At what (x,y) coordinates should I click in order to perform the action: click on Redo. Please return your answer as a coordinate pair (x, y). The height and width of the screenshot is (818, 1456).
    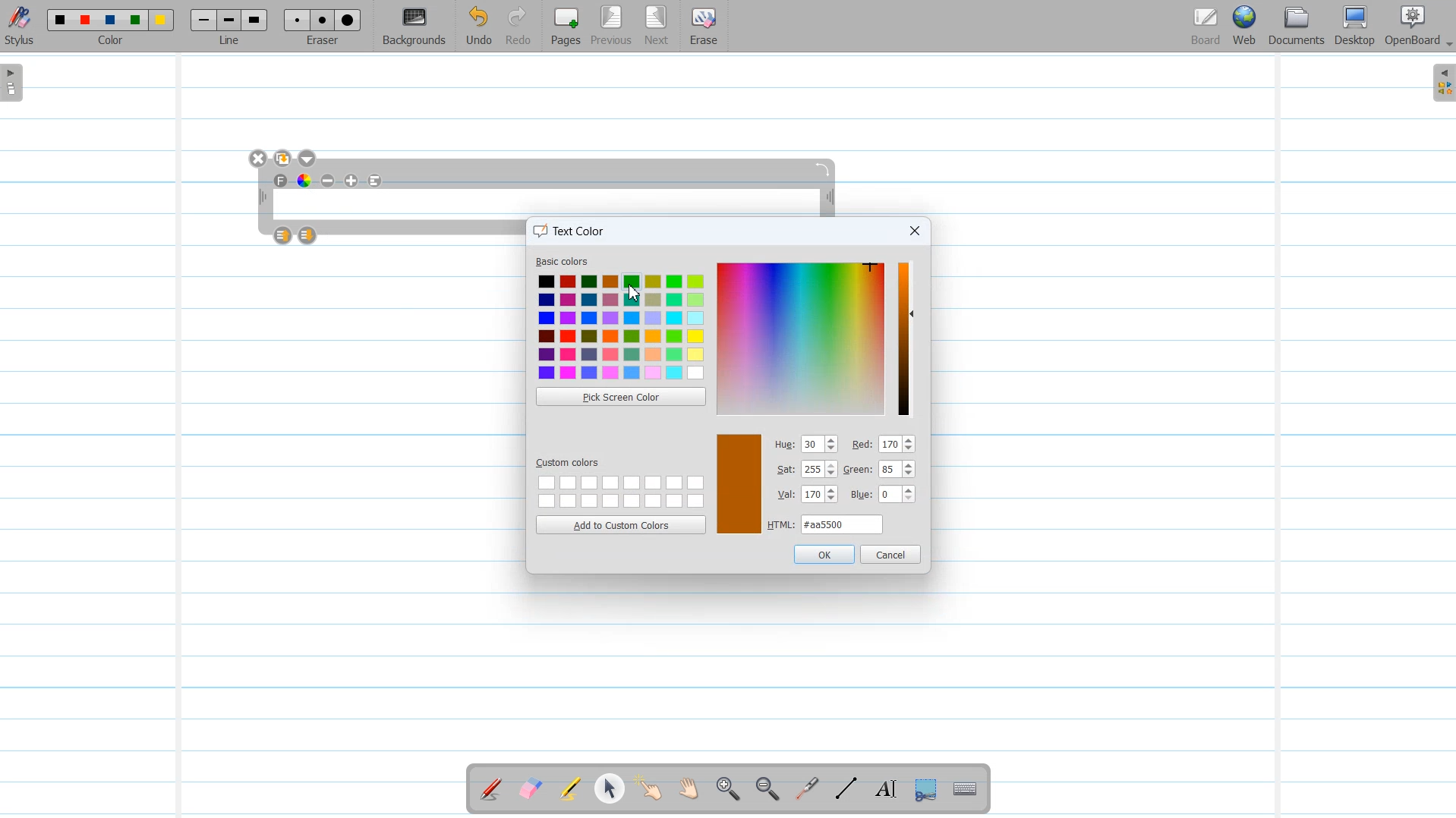
    Looking at the image, I should click on (518, 27).